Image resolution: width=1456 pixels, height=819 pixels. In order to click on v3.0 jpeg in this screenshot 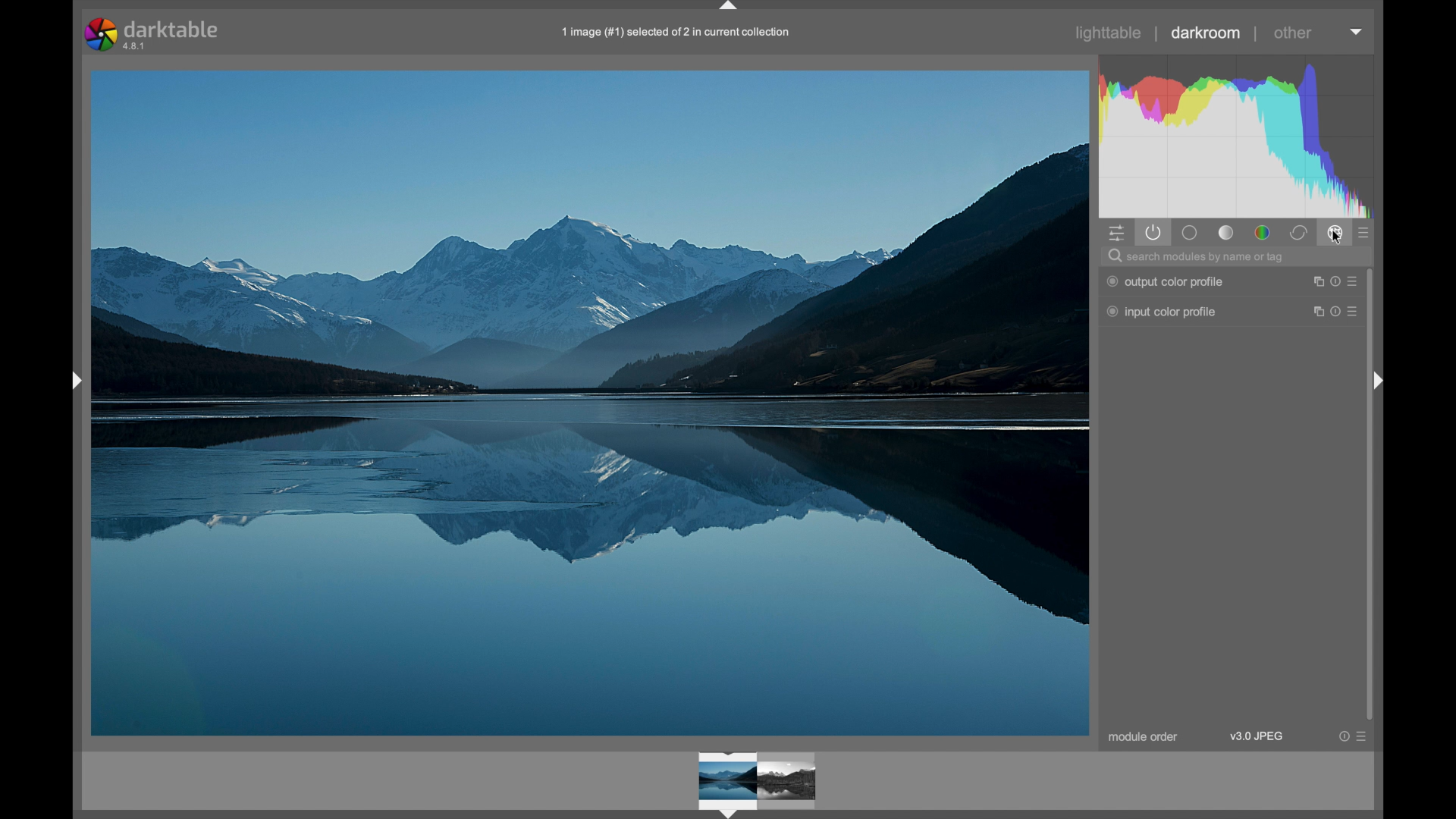, I will do `click(1257, 736)`.